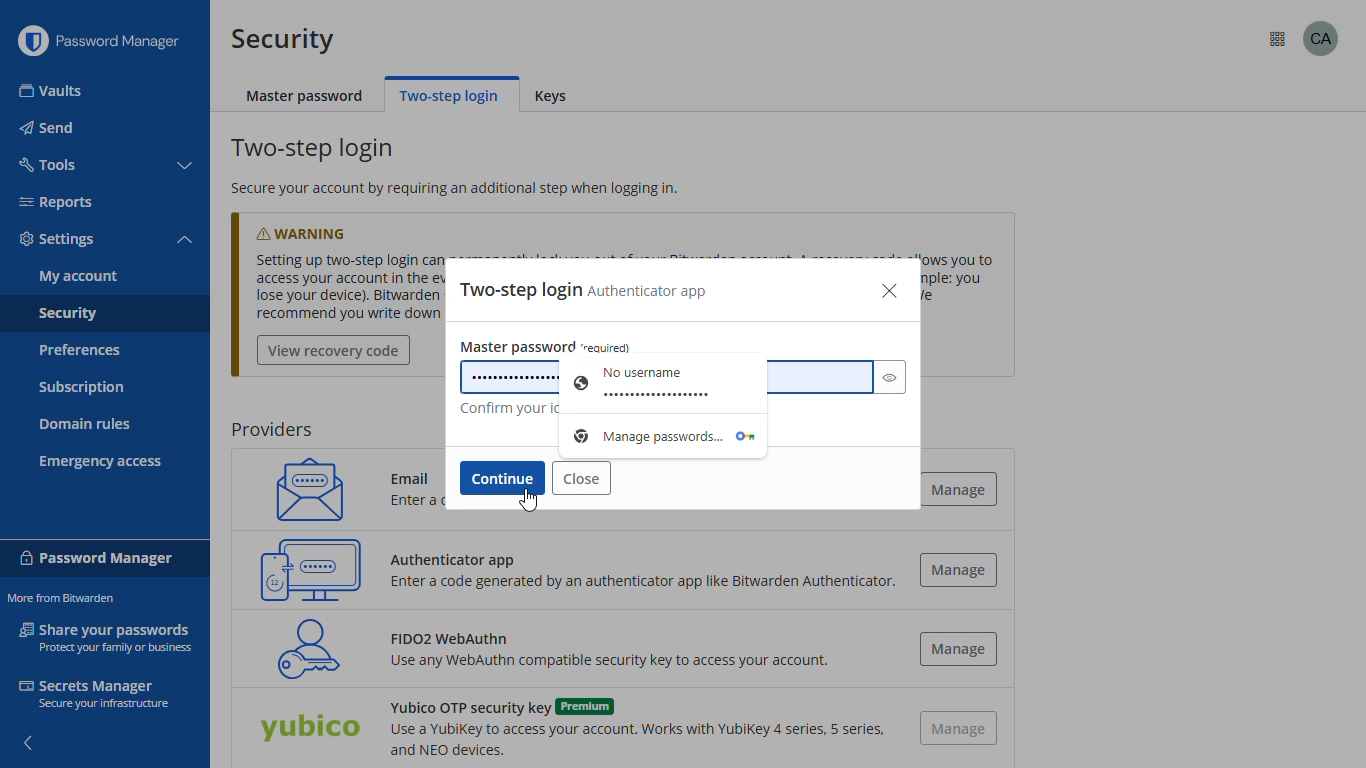  Describe the element at coordinates (97, 556) in the screenshot. I see `password manager` at that location.